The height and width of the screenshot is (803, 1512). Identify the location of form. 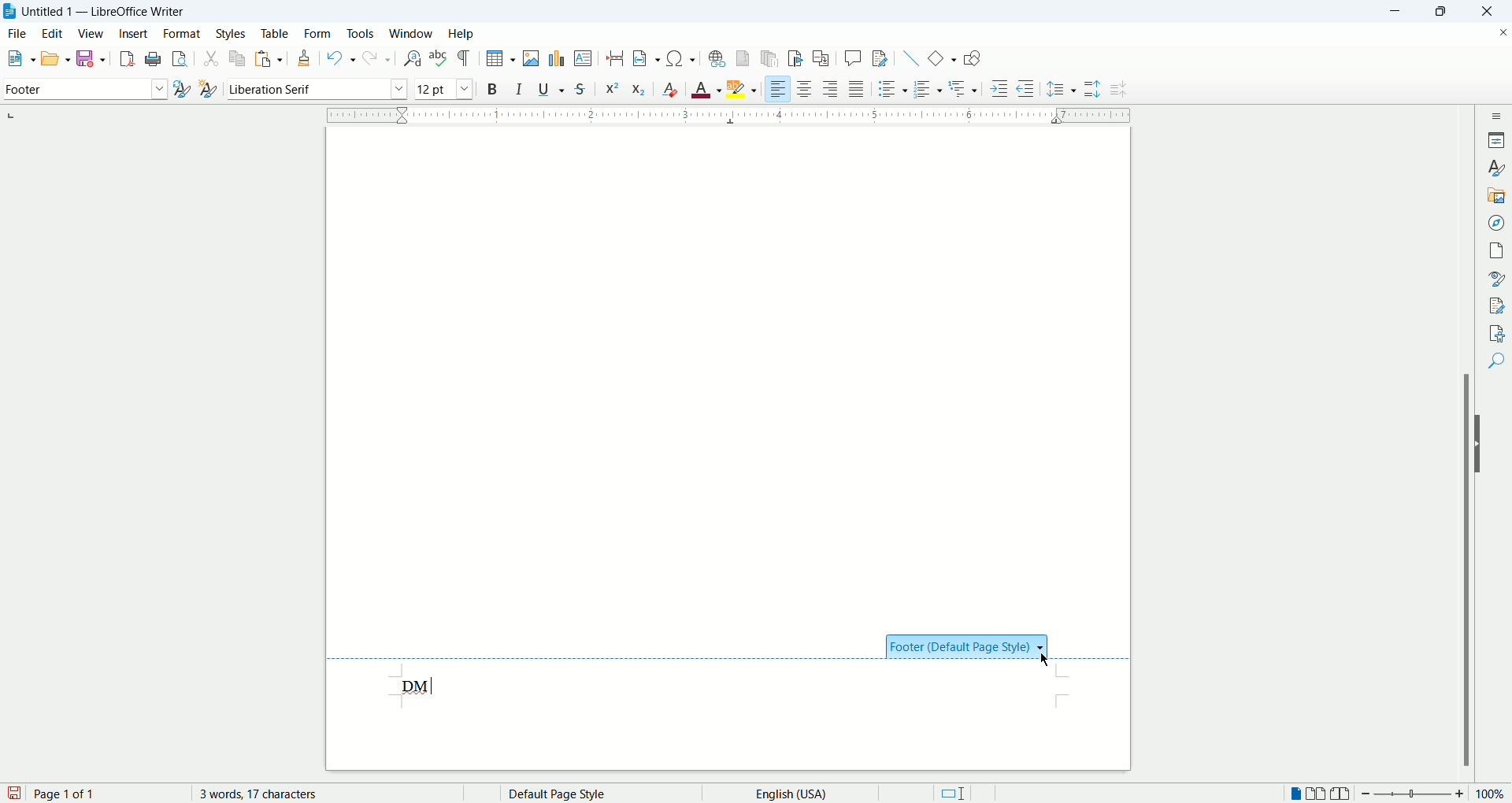
(318, 32).